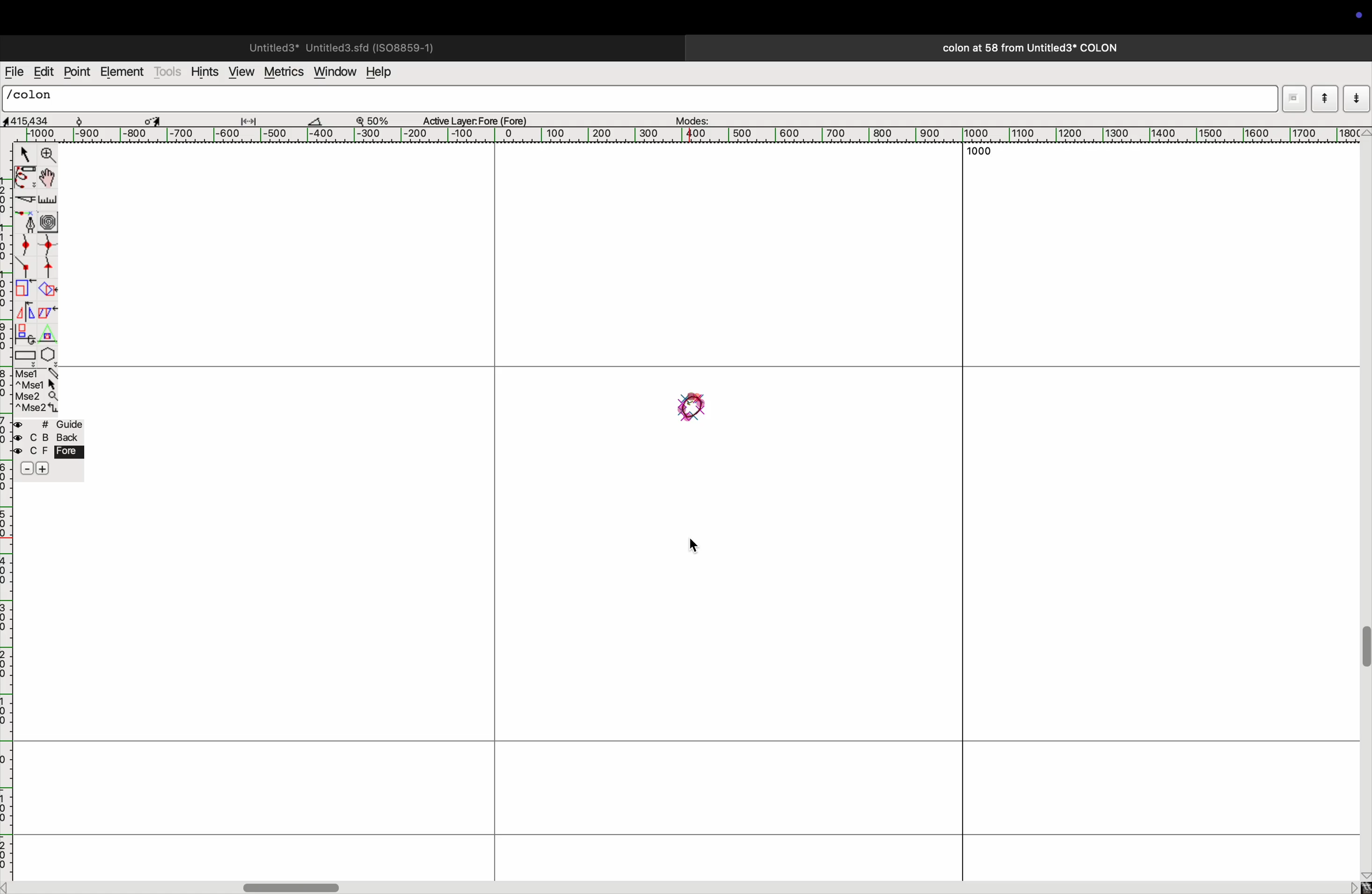 This screenshot has height=894, width=1372. Describe the element at coordinates (378, 119) in the screenshot. I see `zoom` at that location.